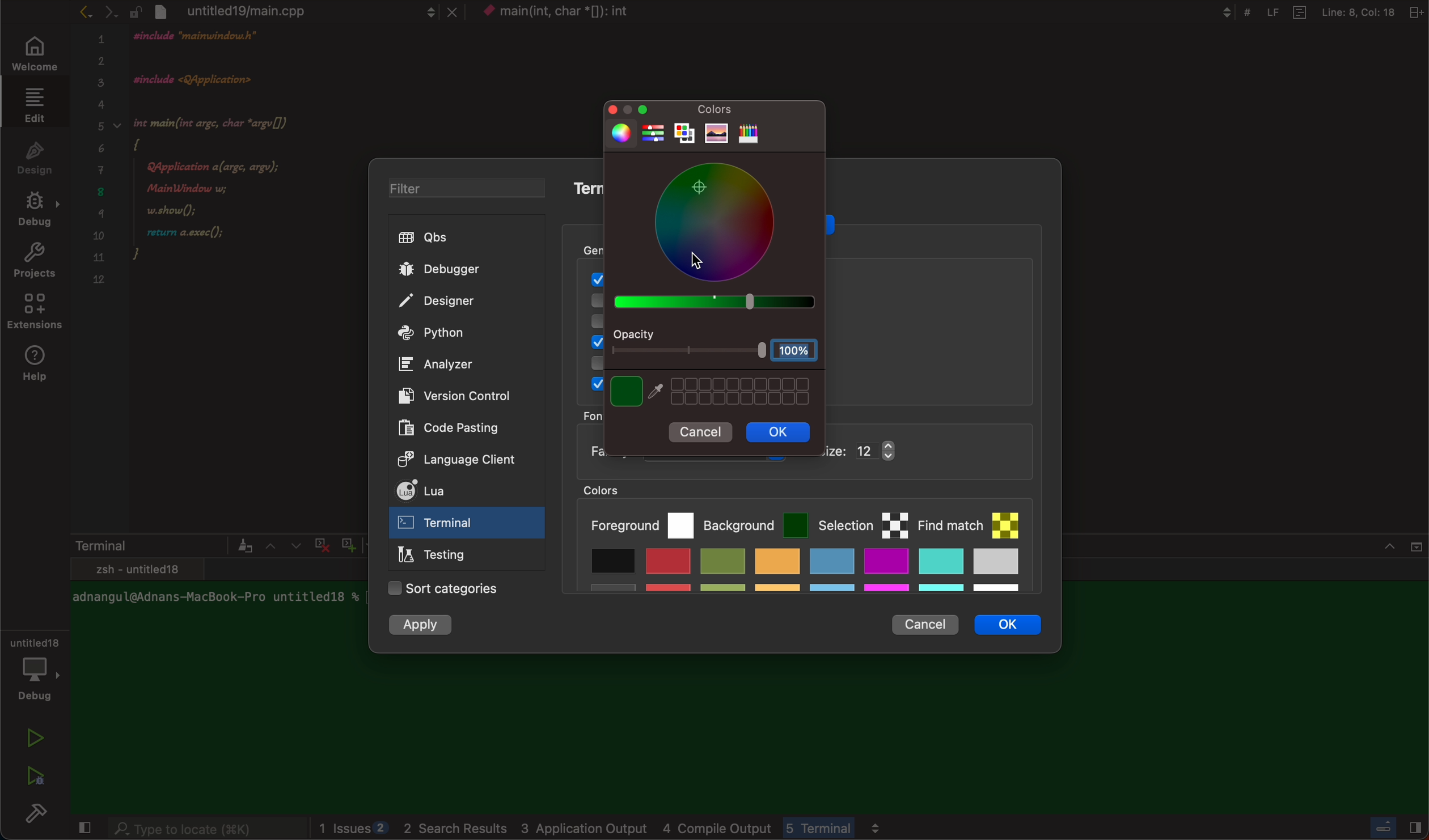 The height and width of the screenshot is (840, 1429). Describe the element at coordinates (206, 830) in the screenshot. I see `search` at that location.